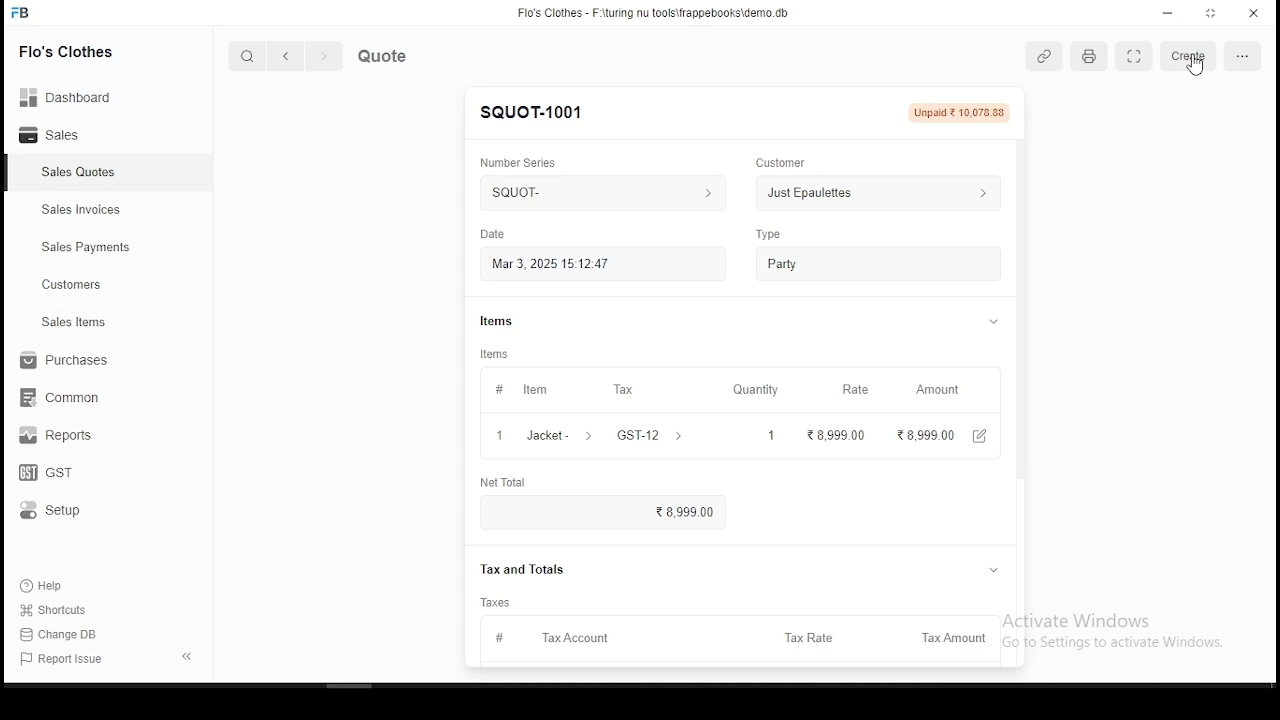  What do you see at coordinates (75, 98) in the screenshot?
I see `Dashboard` at bounding box center [75, 98].